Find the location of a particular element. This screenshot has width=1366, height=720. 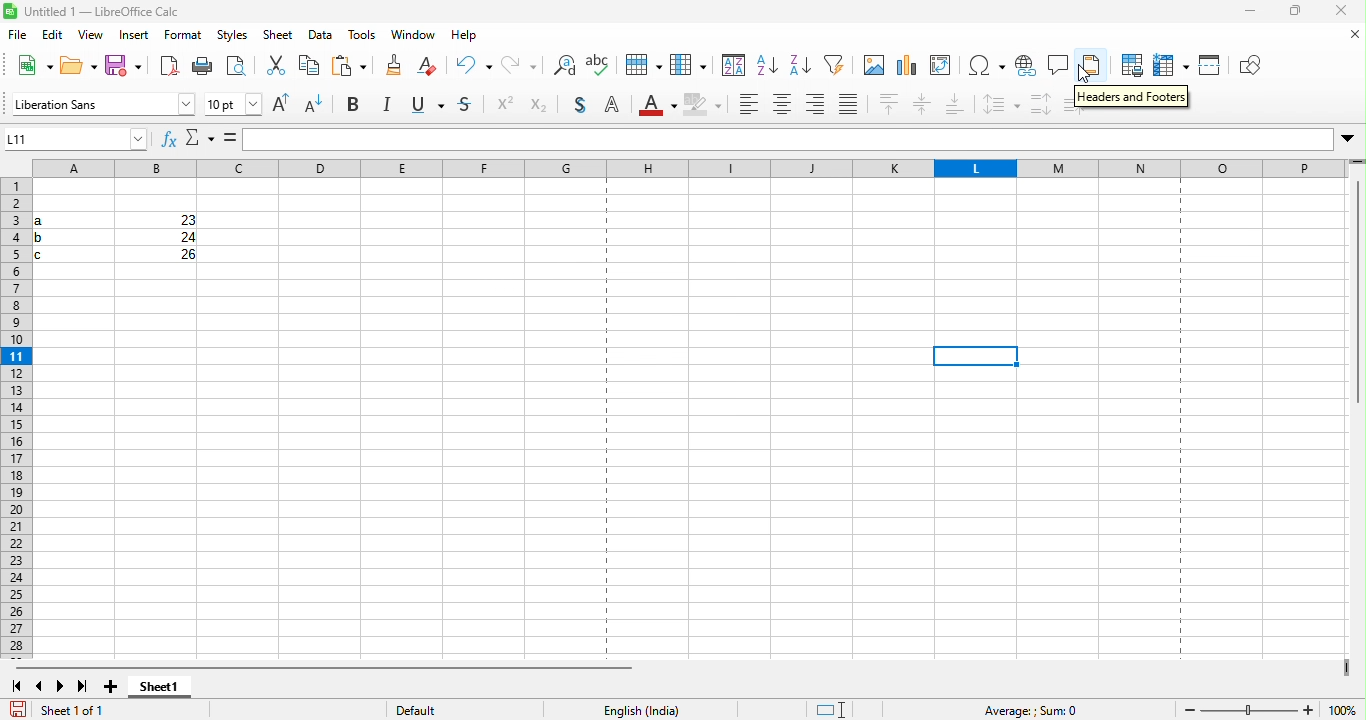

headers and footers is located at coordinates (1133, 98).